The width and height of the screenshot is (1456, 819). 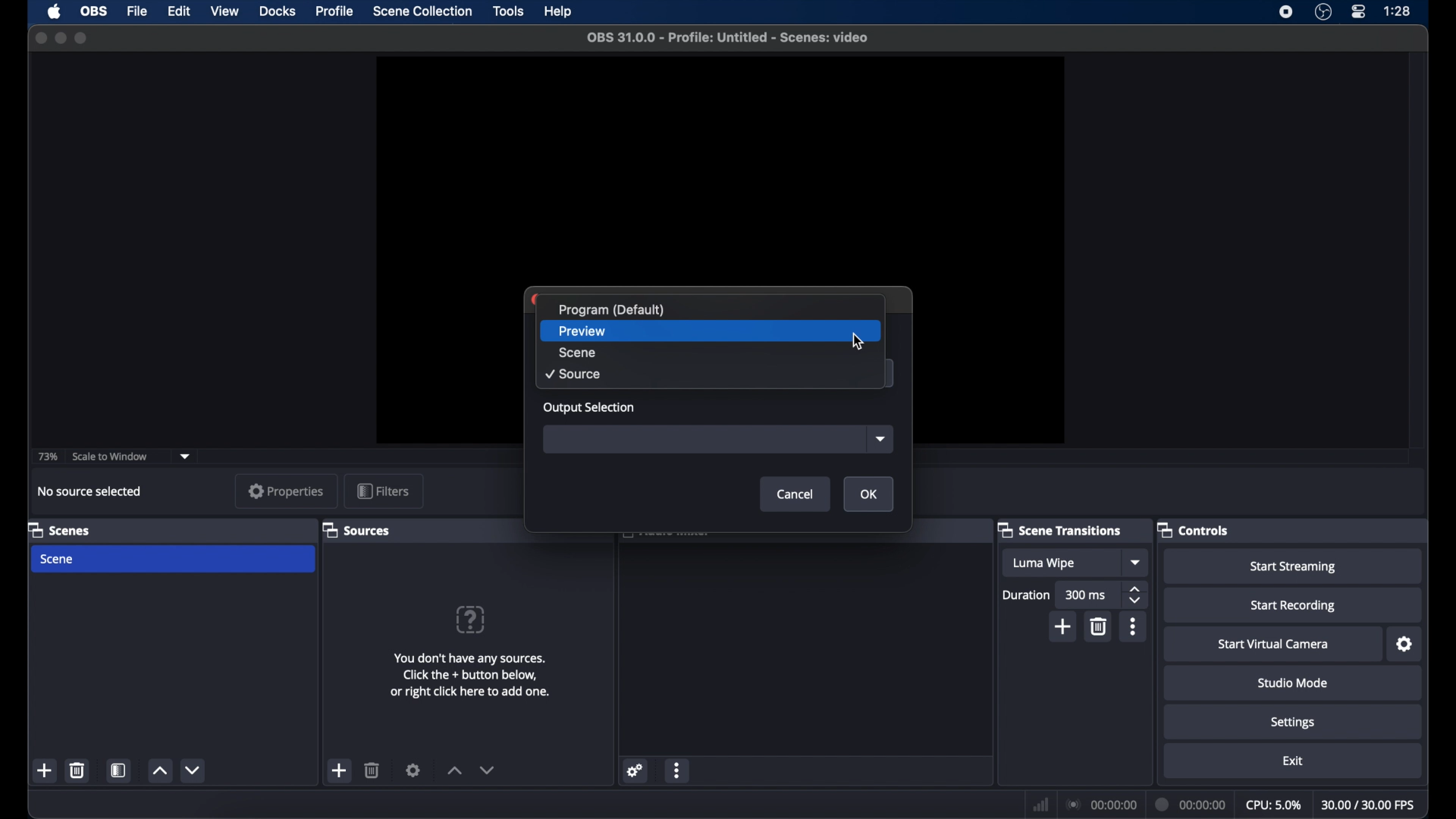 I want to click on scenes, so click(x=65, y=531).